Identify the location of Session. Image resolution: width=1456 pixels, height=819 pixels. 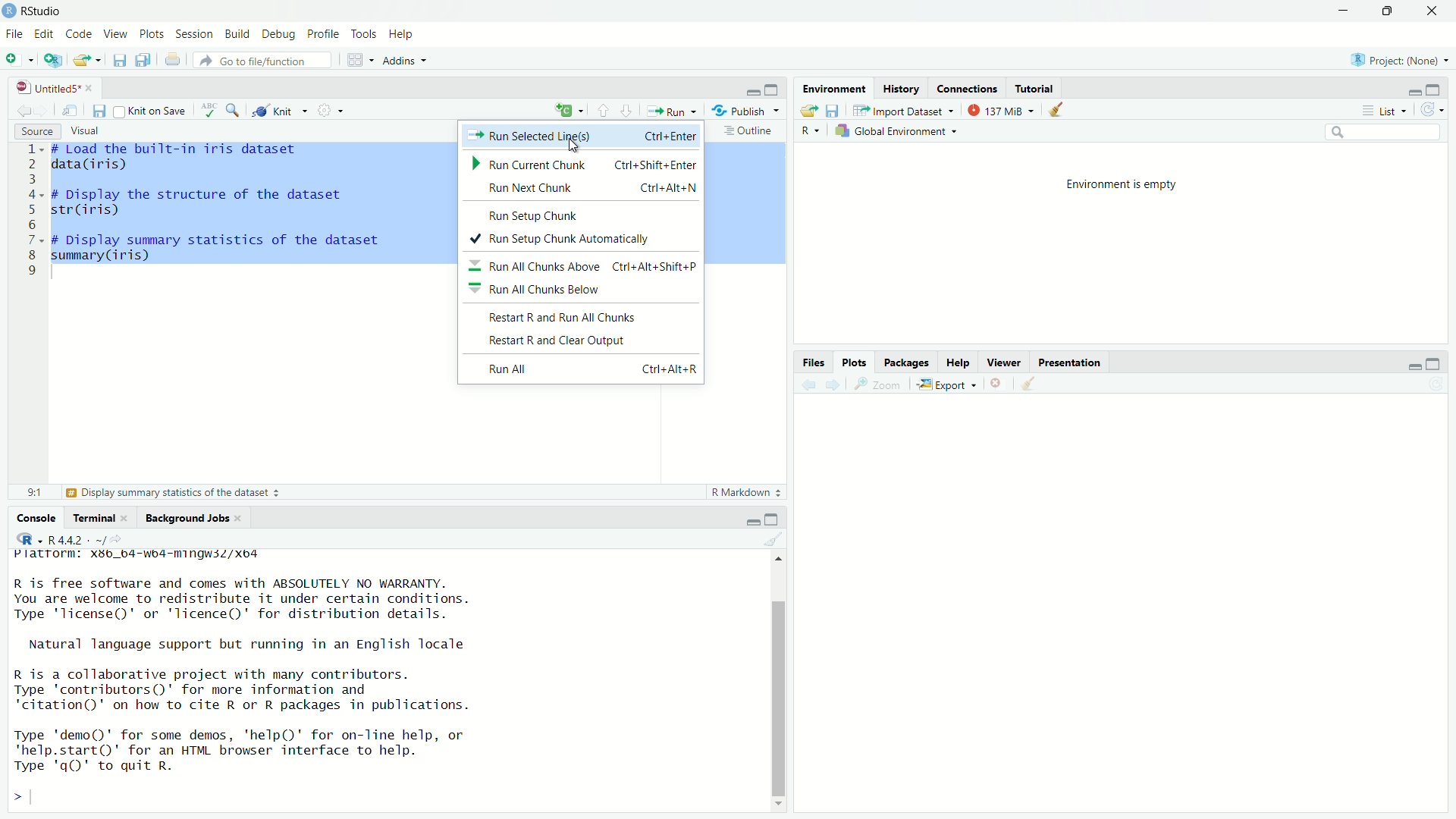
(195, 33).